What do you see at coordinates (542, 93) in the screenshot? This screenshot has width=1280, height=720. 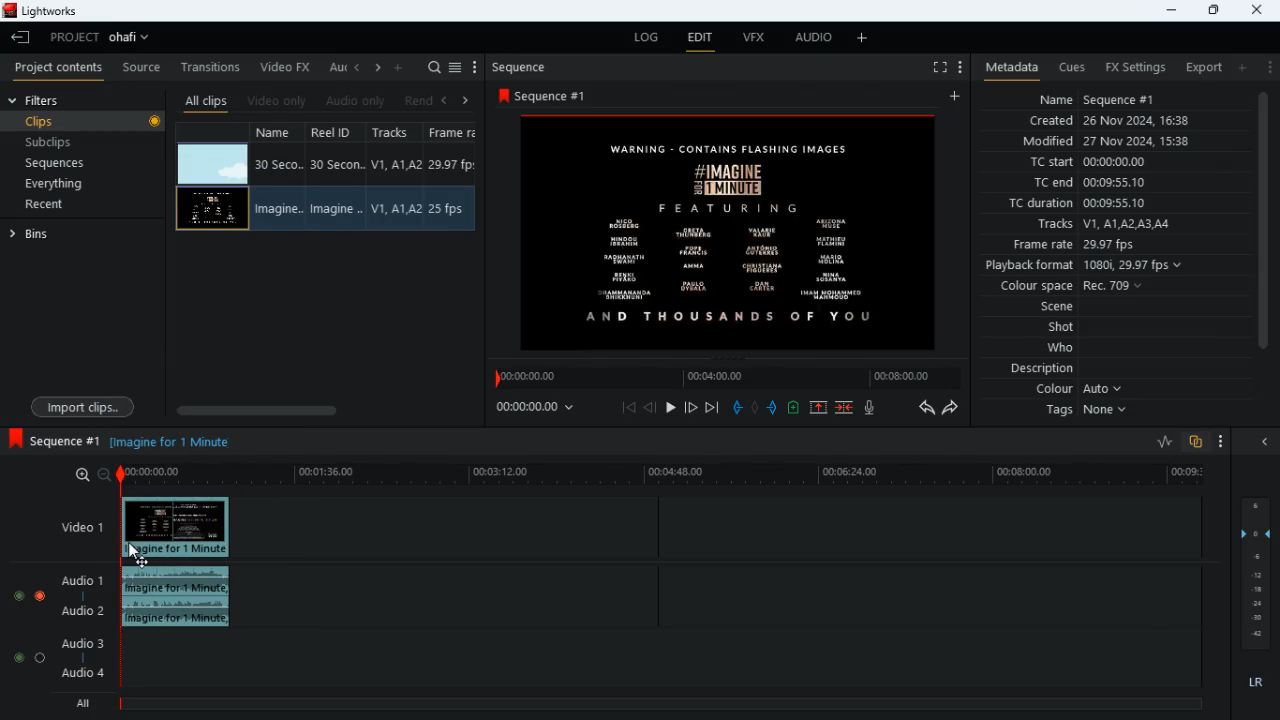 I see `sequence` at bounding box center [542, 93].